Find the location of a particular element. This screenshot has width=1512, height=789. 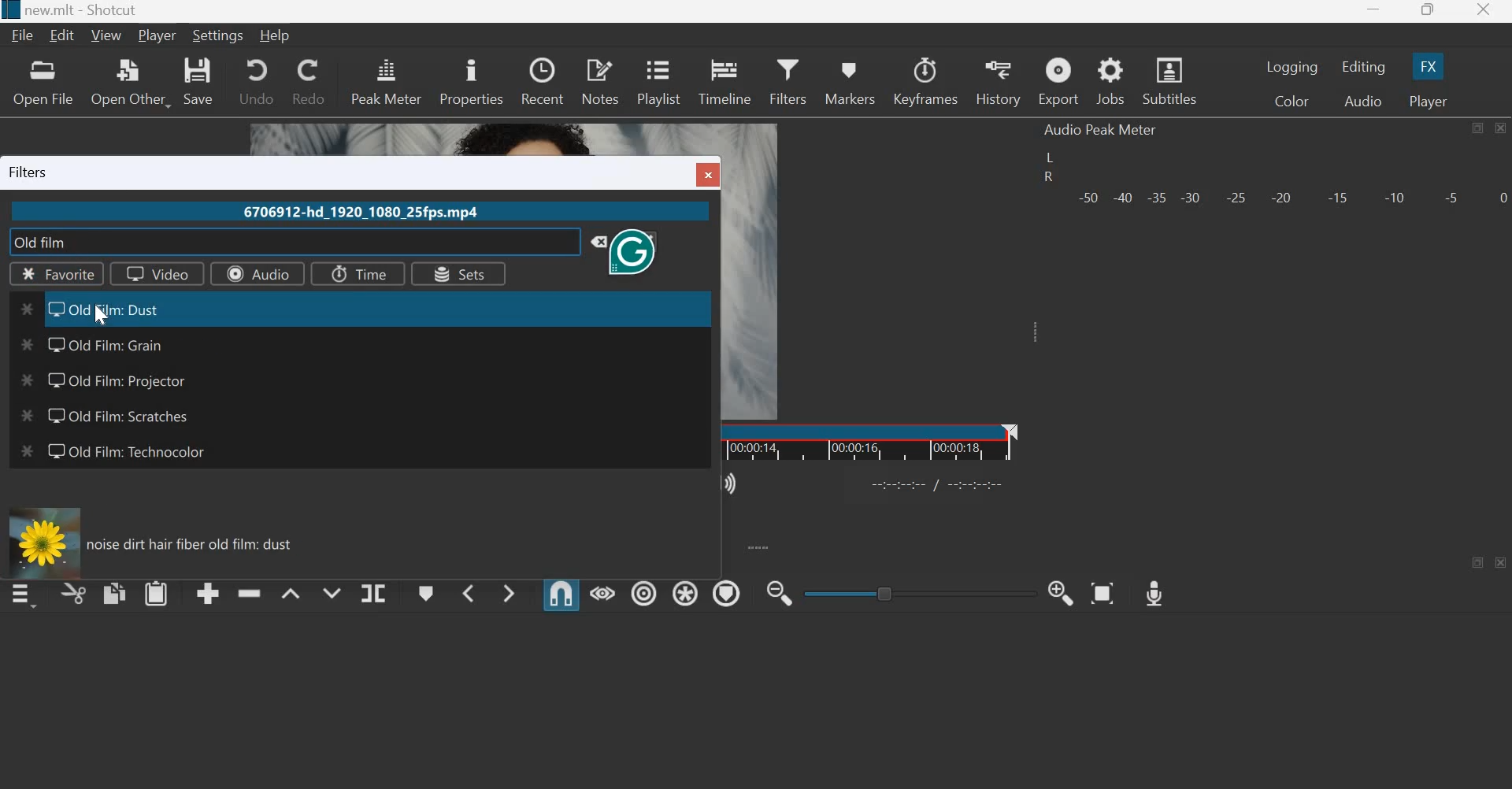

Subtitles is located at coordinates (1172, 80).